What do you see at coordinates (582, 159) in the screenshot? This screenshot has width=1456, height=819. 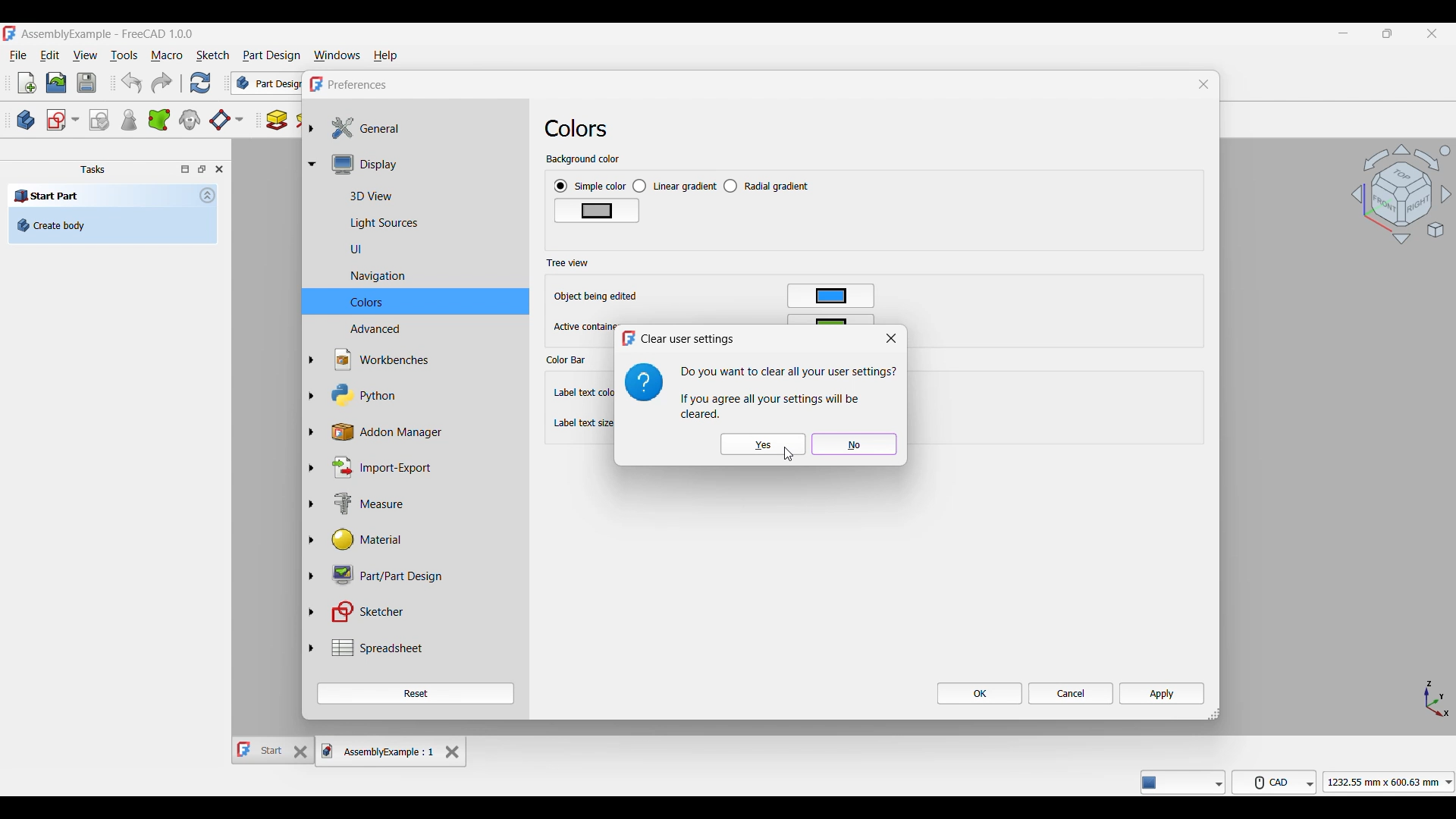 I see `Background color` at bounding box center [582, 159].